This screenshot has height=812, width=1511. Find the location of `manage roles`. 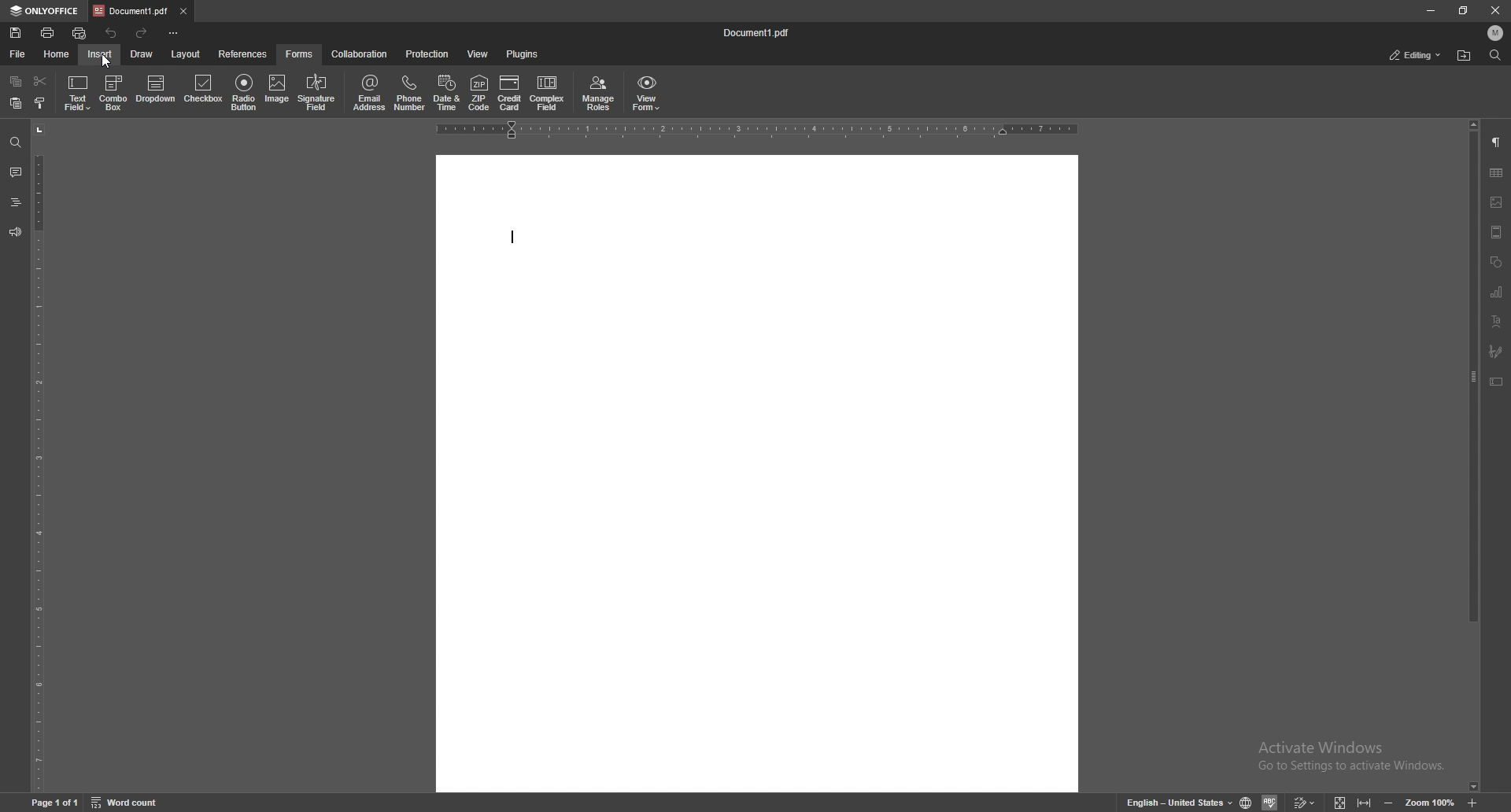

manage roles is located at coordinates (600, 94).